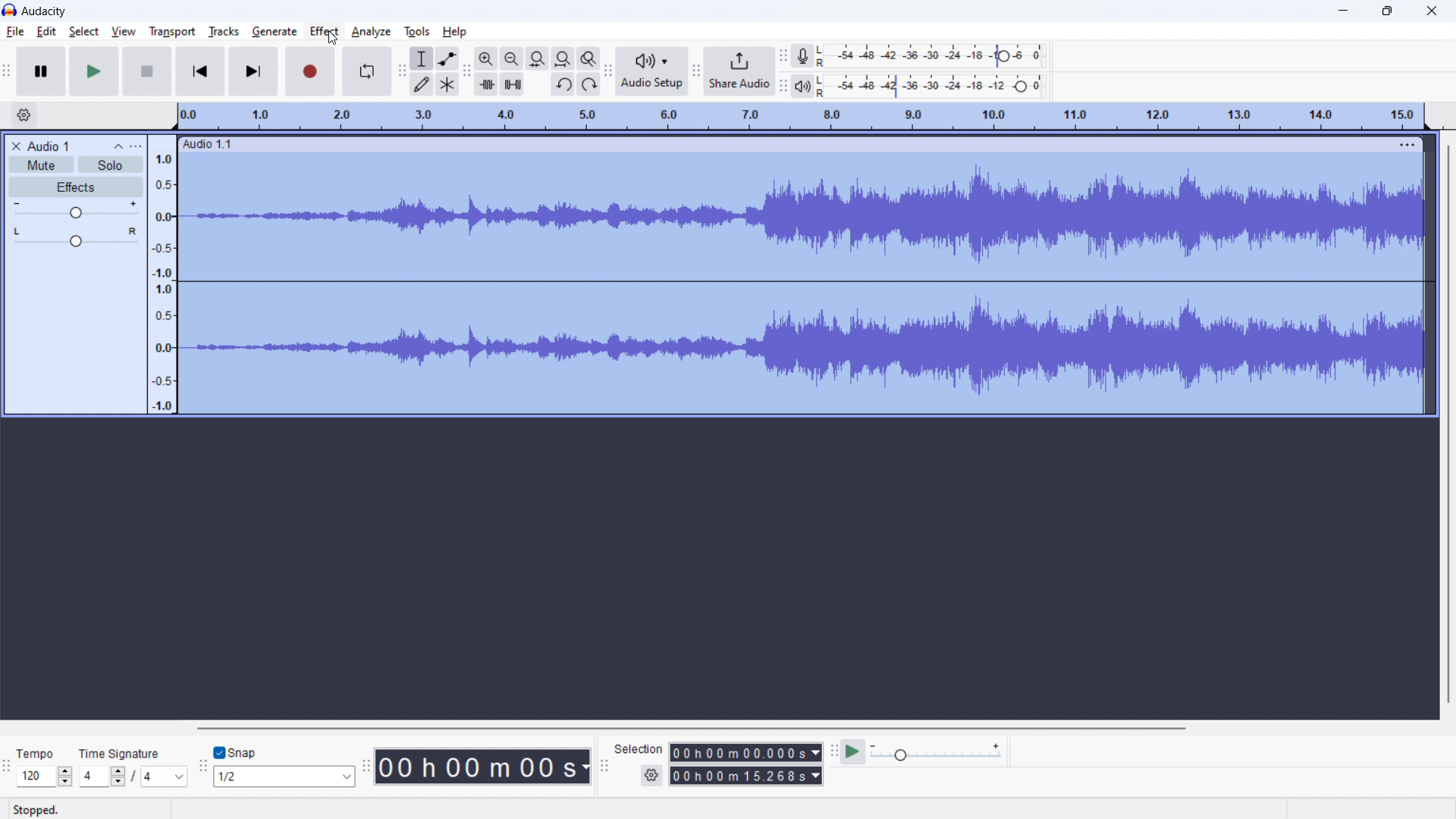 Image resolution: width=1456 pixels, height=819 pixels. What do you see at coordinates (94, 71) in the screenshot?
I see `play` at bounding box center [94, 71].